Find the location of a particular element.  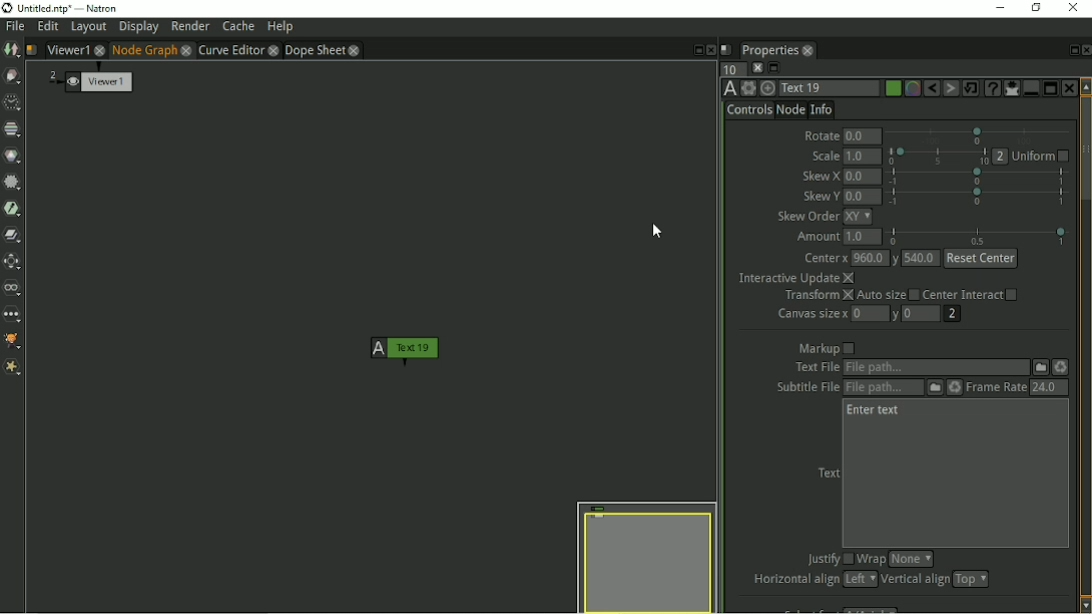

Keyer is located at coordinates (14, 209).